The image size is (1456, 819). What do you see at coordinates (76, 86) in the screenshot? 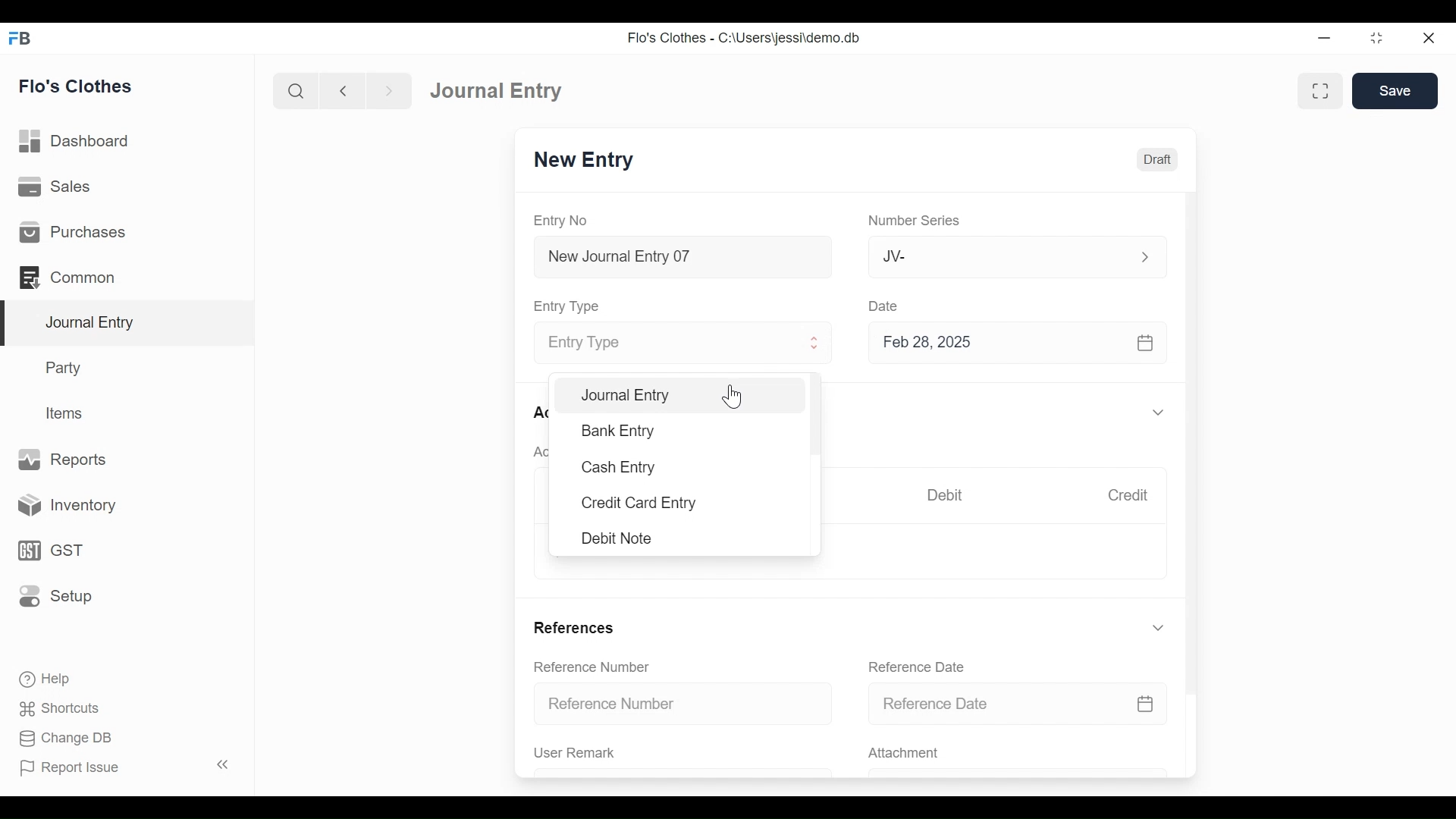
I see `Flo's Clothes` at bounding box center [76, 86].